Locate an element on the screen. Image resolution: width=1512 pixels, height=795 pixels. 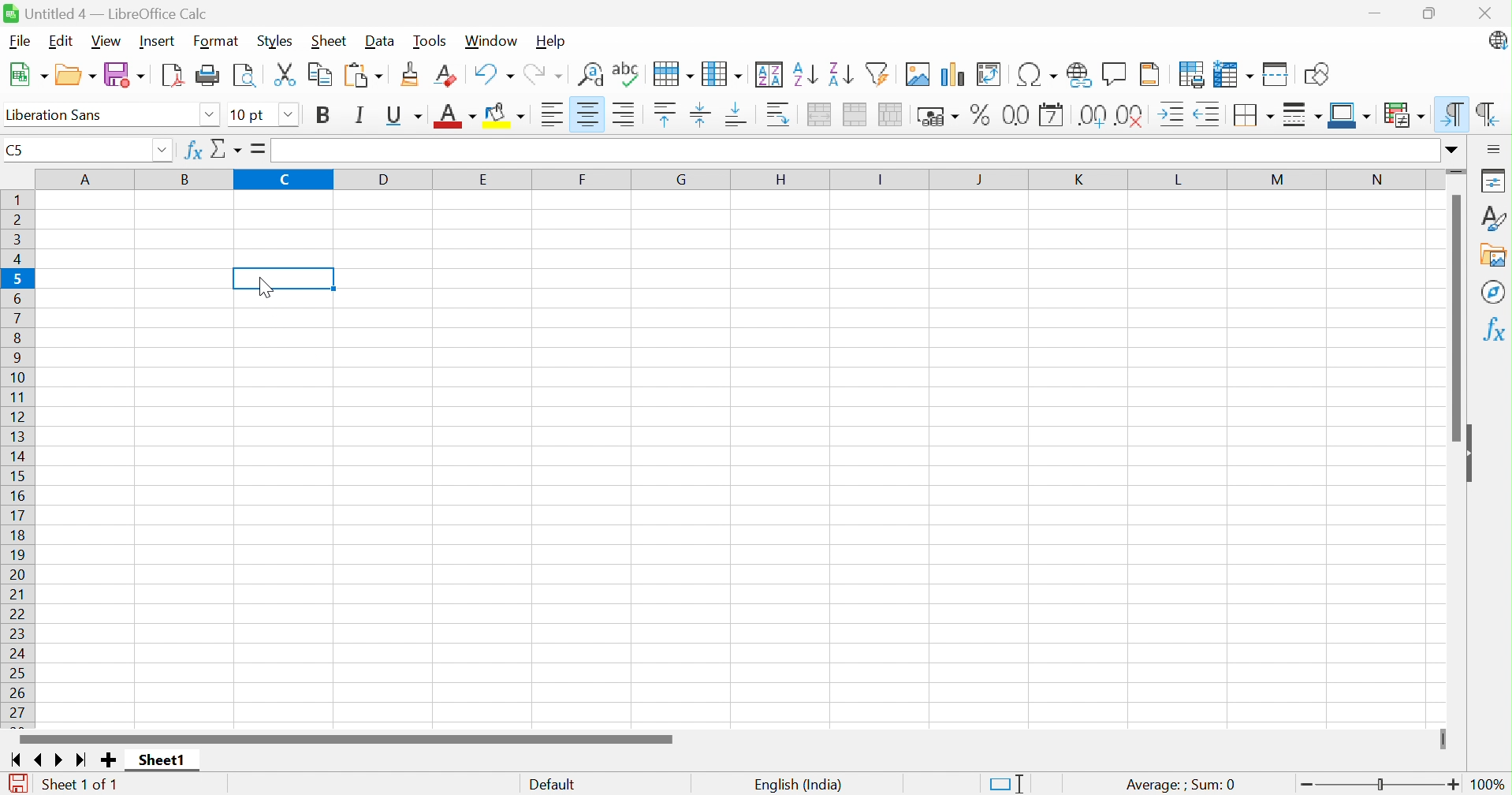
The document has been modified. Click to save the document. is located at coordinates (17, 782).